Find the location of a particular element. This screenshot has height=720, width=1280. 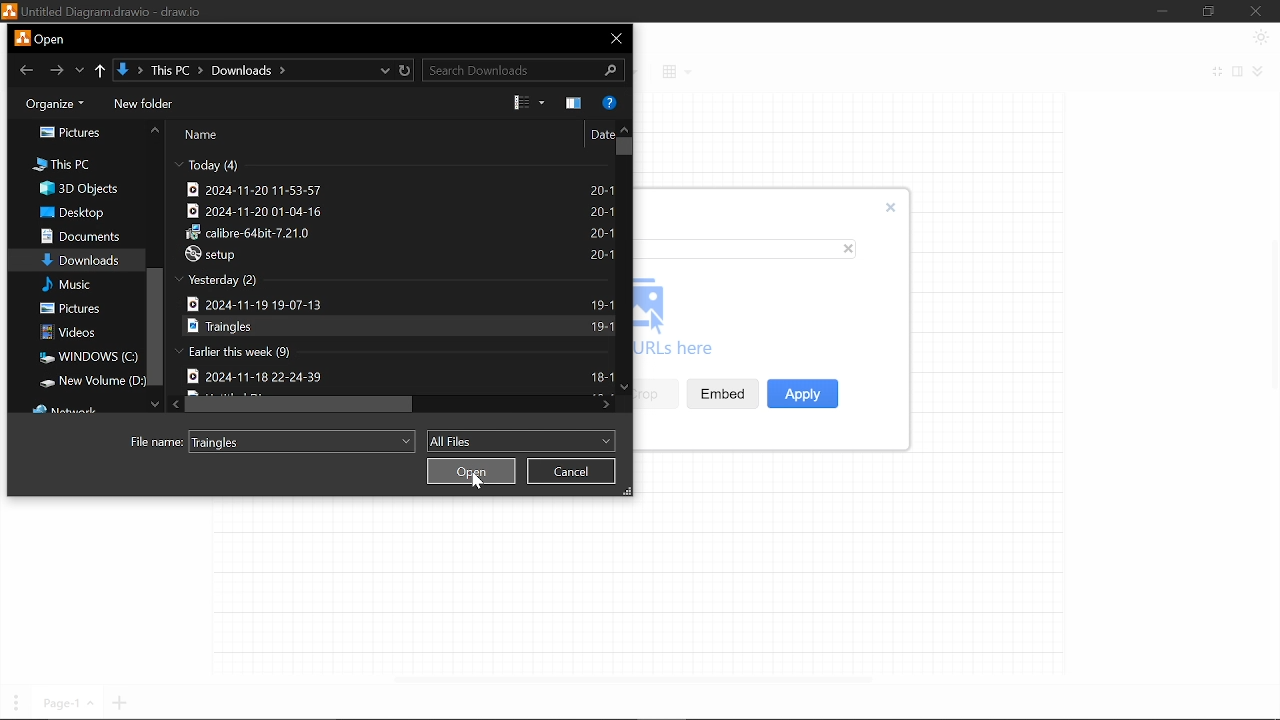

Up to is located at coordinates (100, 71).